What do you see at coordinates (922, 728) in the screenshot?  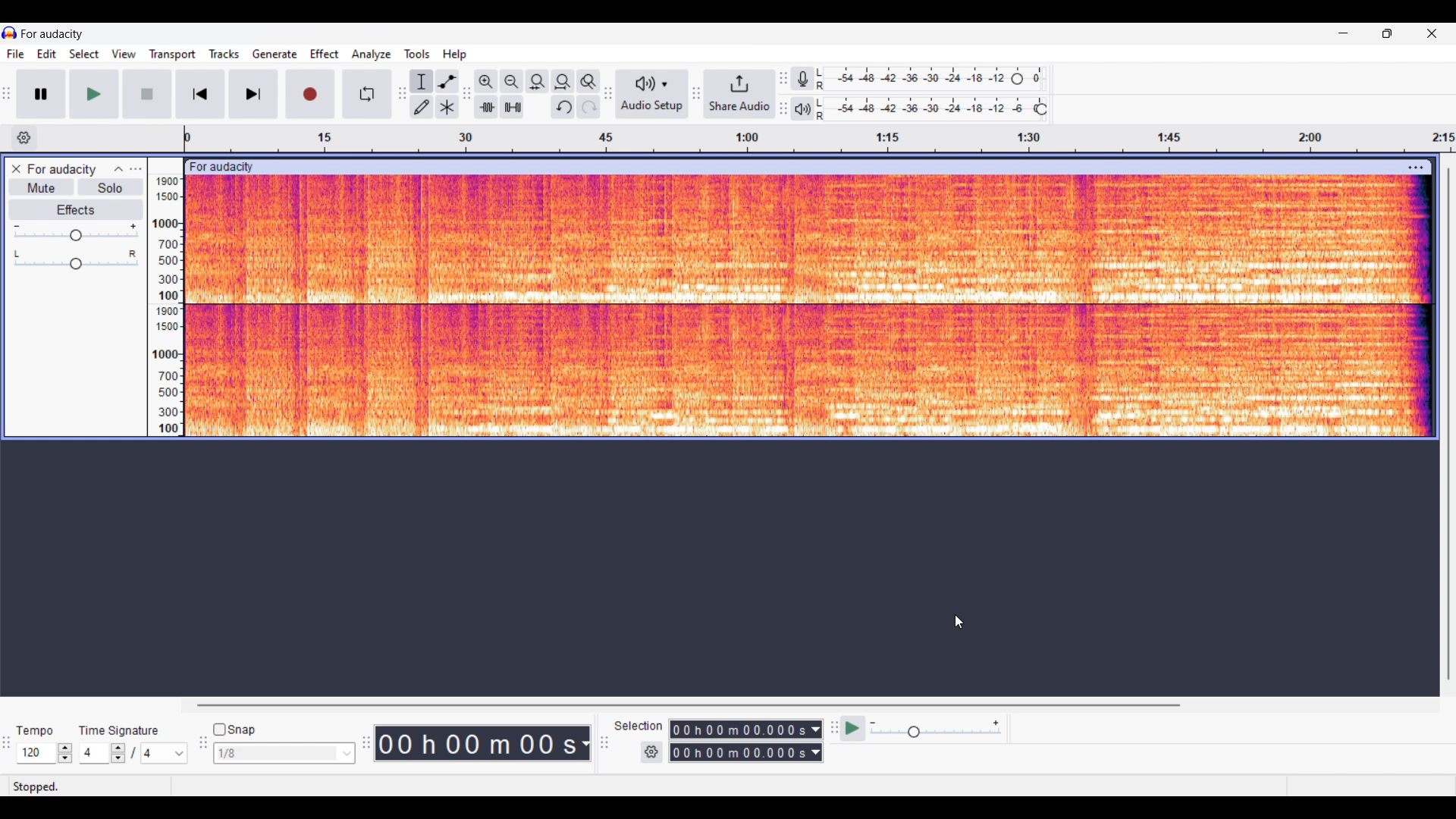 I see `Playback speed settings ` at bounding box center [922, 728].